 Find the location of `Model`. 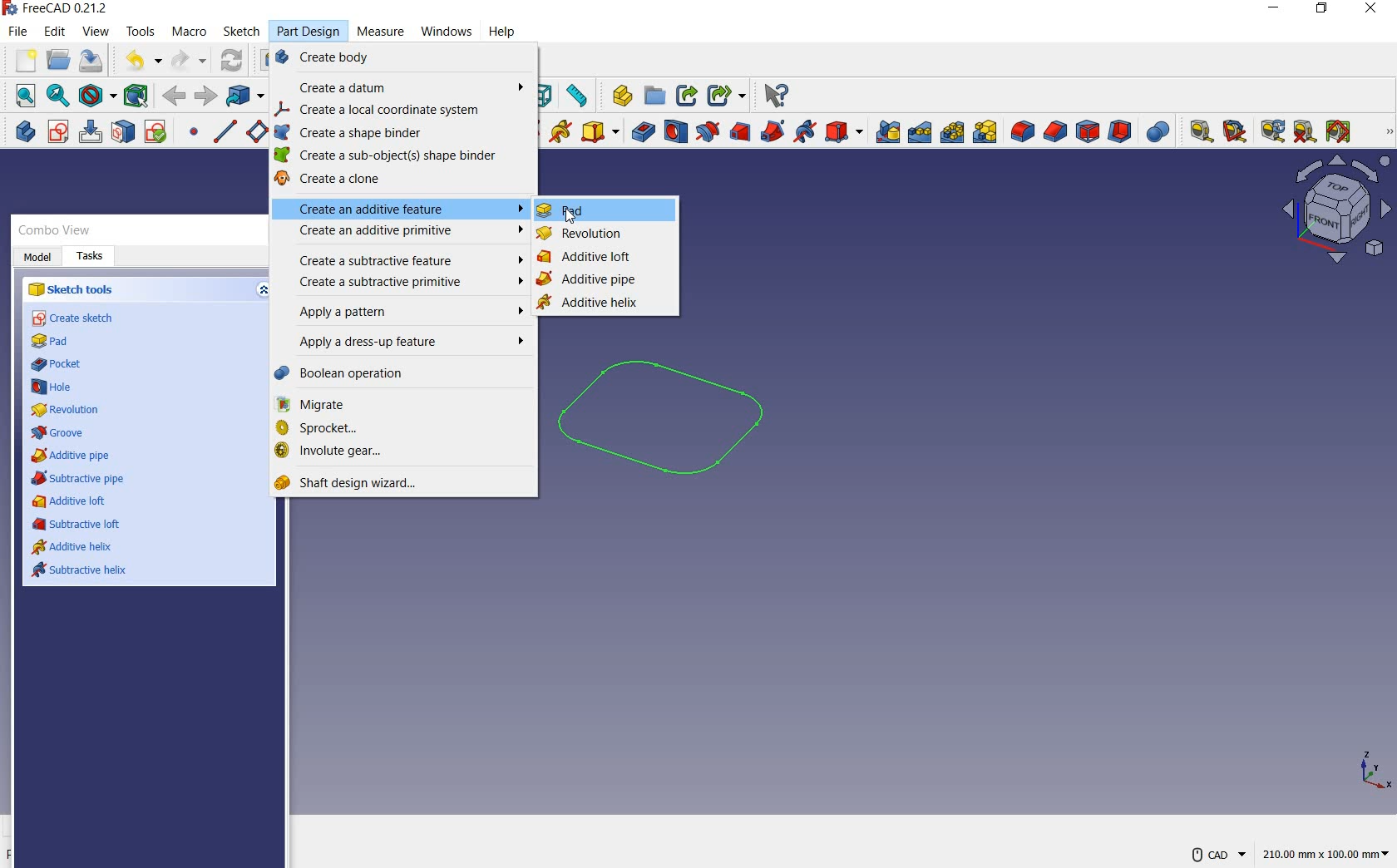

Model is located at coordinates (37, 254).